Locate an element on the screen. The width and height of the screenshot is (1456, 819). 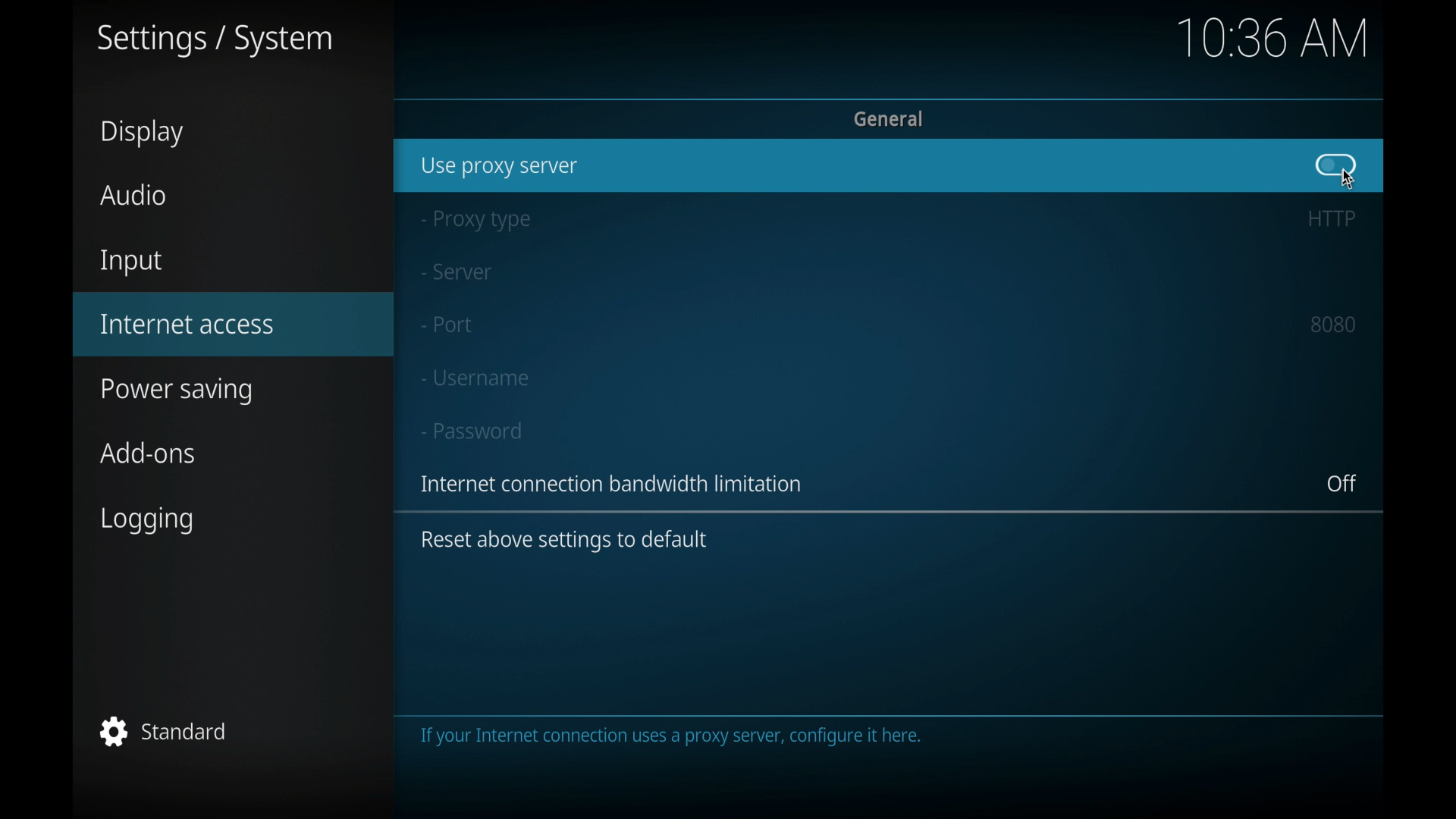
if your internet connection uses a proxy server configure it here is located at coordinates (682, 739).